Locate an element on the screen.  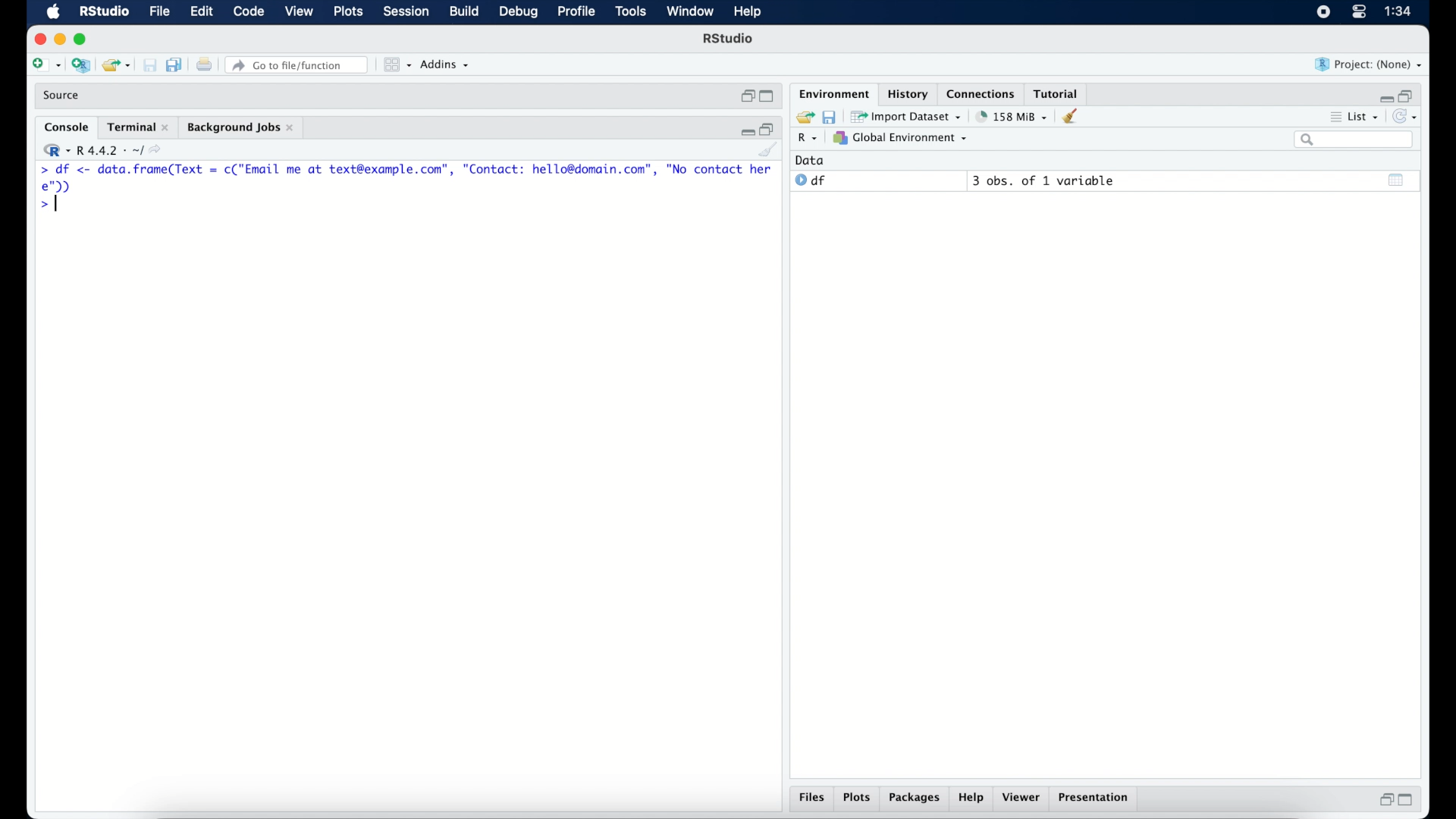
global environment is located at coordinates (905, 139).